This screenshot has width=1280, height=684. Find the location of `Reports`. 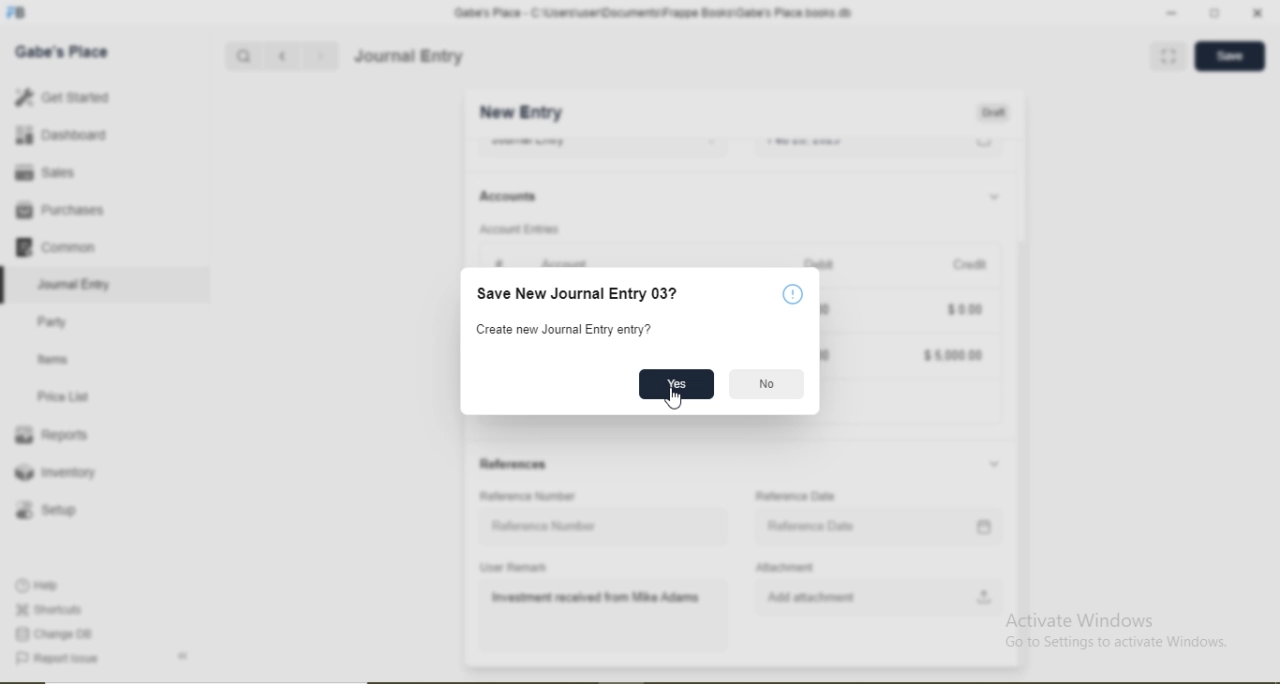

Reports is located at coordinates (51, 435).